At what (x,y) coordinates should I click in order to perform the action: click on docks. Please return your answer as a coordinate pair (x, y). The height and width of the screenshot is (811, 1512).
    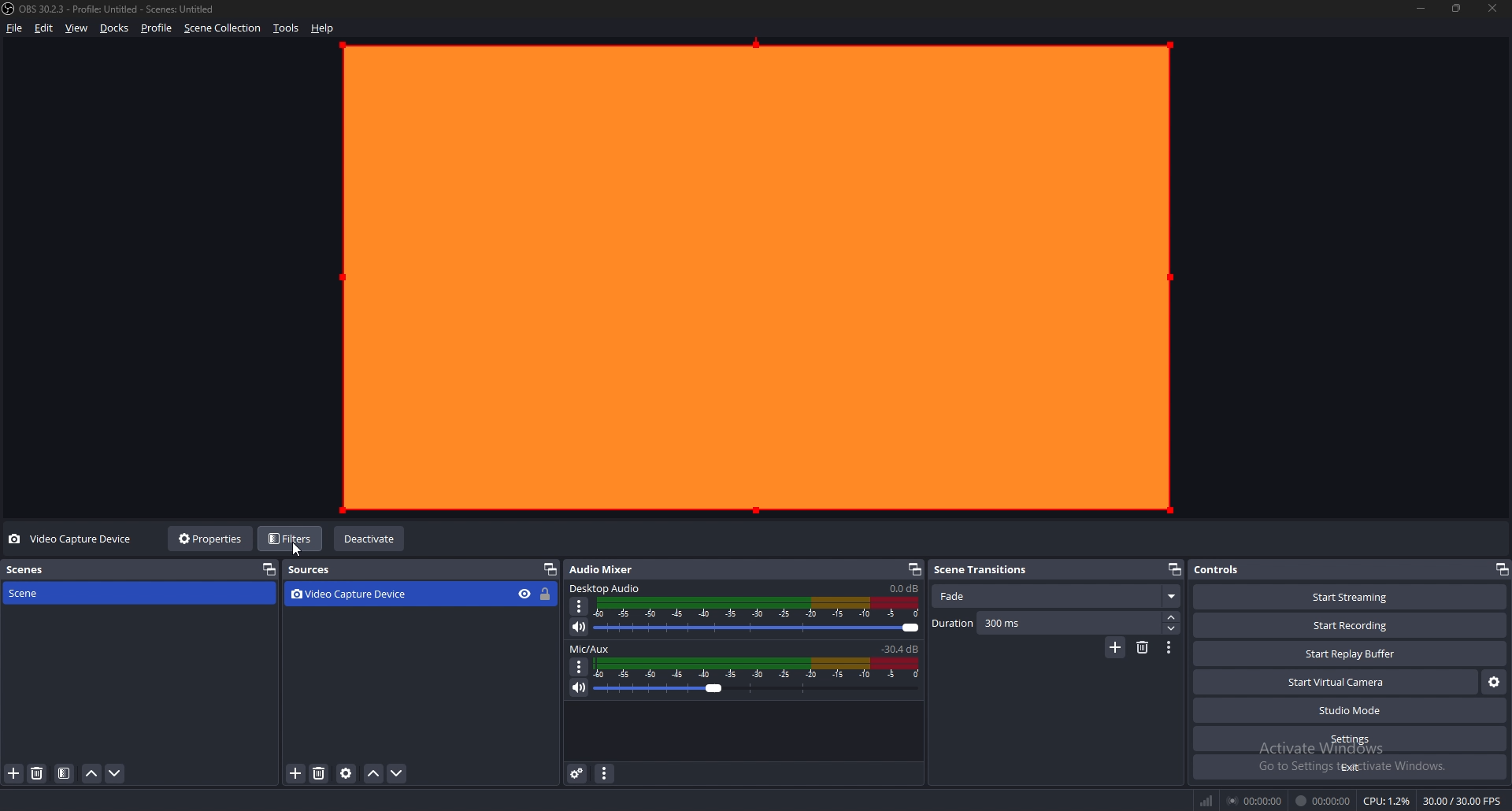
    Looking at the image, I should click on (115, 28).